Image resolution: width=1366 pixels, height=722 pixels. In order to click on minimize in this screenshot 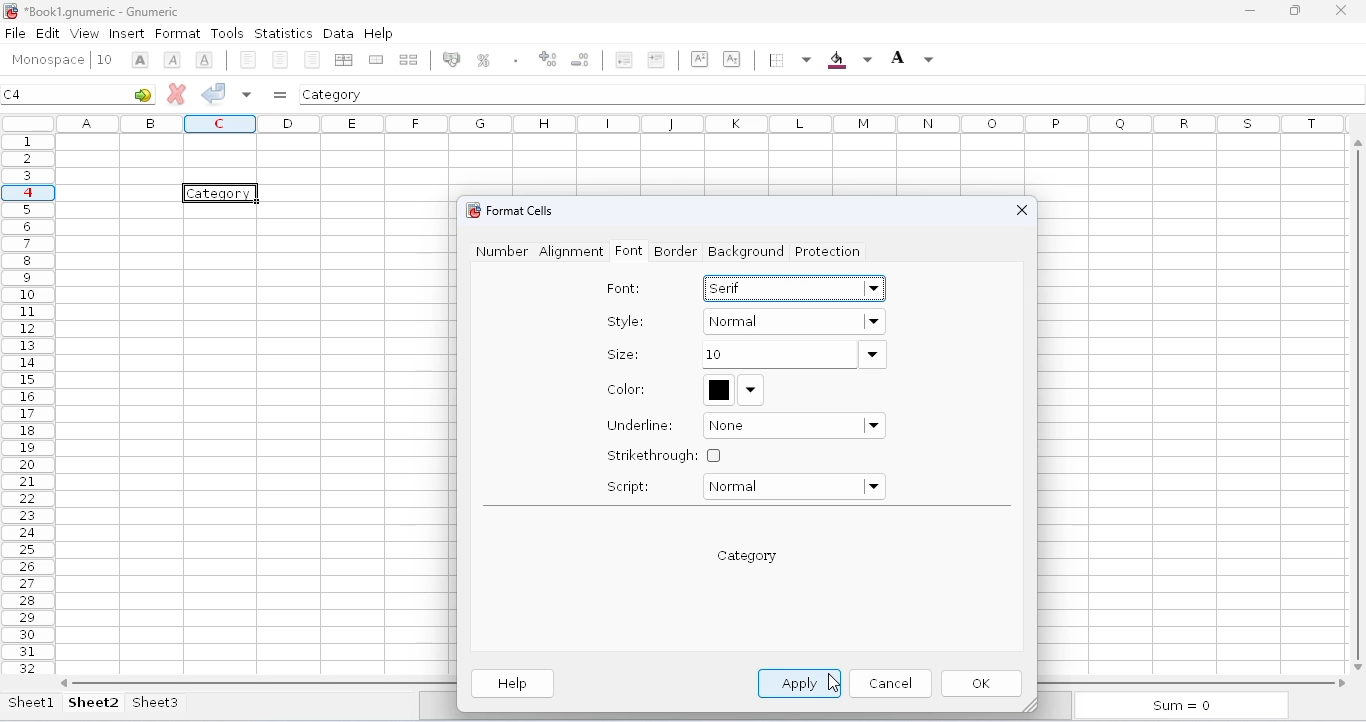, I will do `click(1250, 11)`.